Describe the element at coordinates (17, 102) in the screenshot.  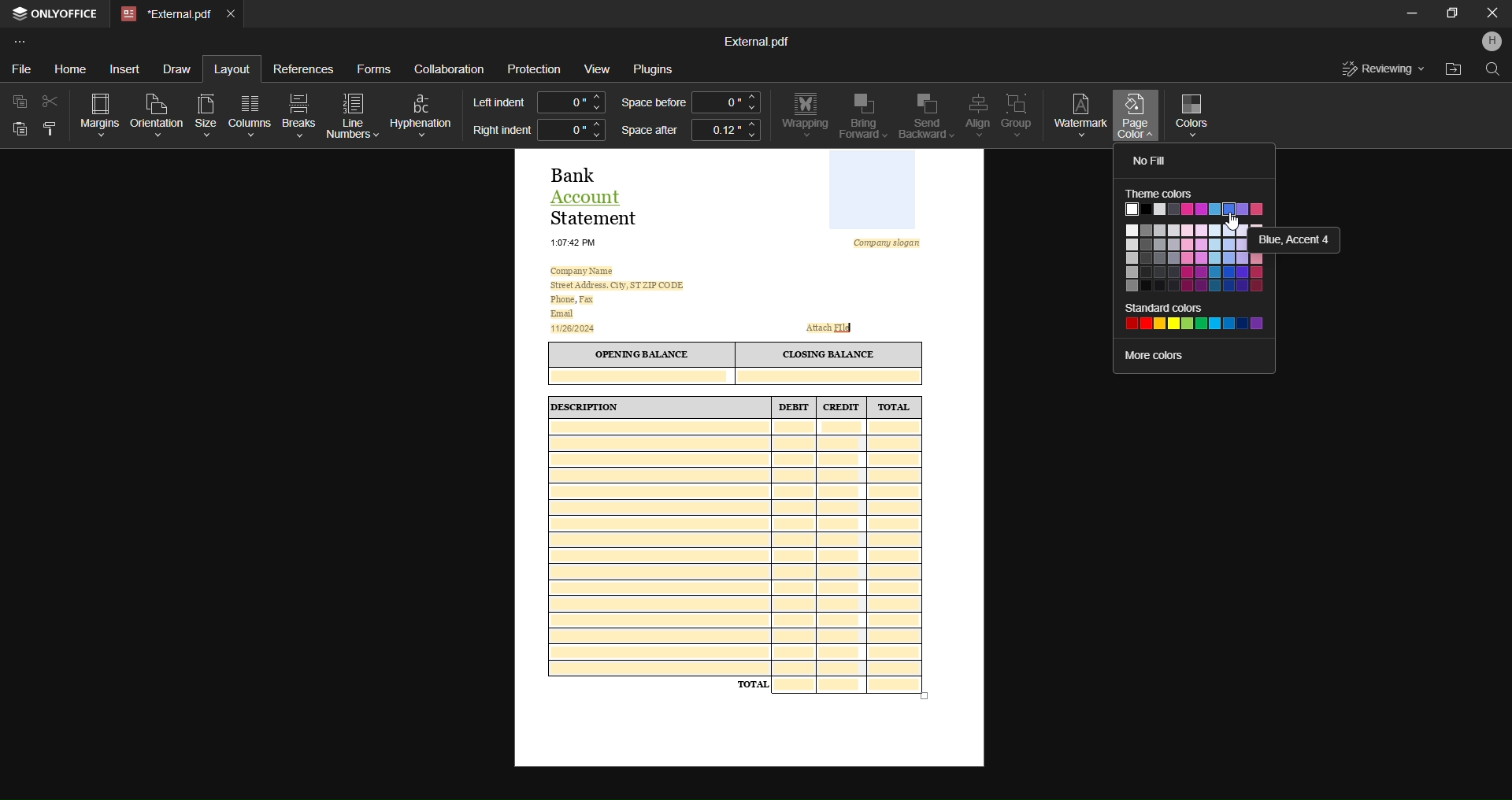
I see `Copy` at that location.